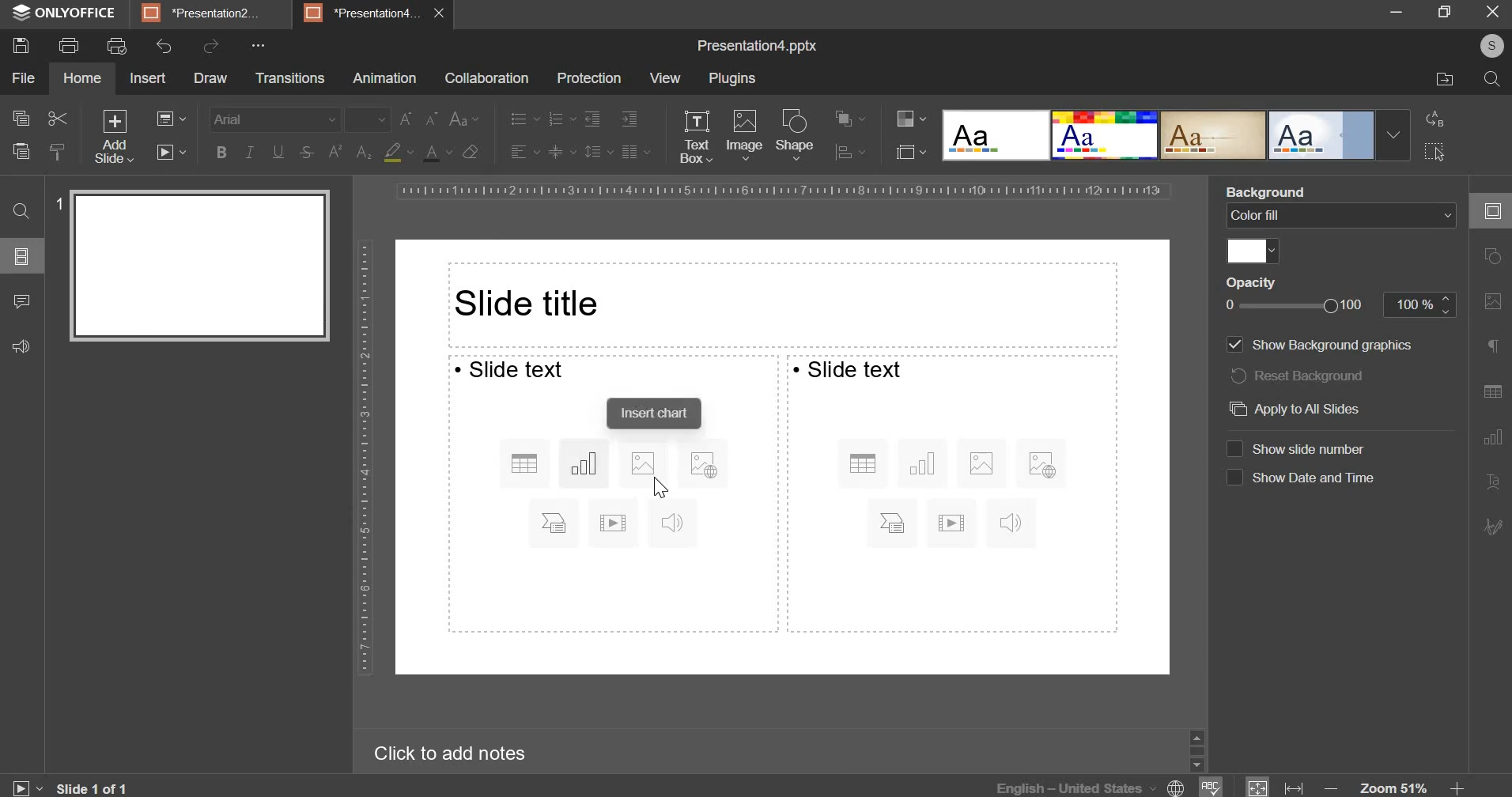 This screenshot has width=1512, height=797. I want to click on design, so click(1215, 136).